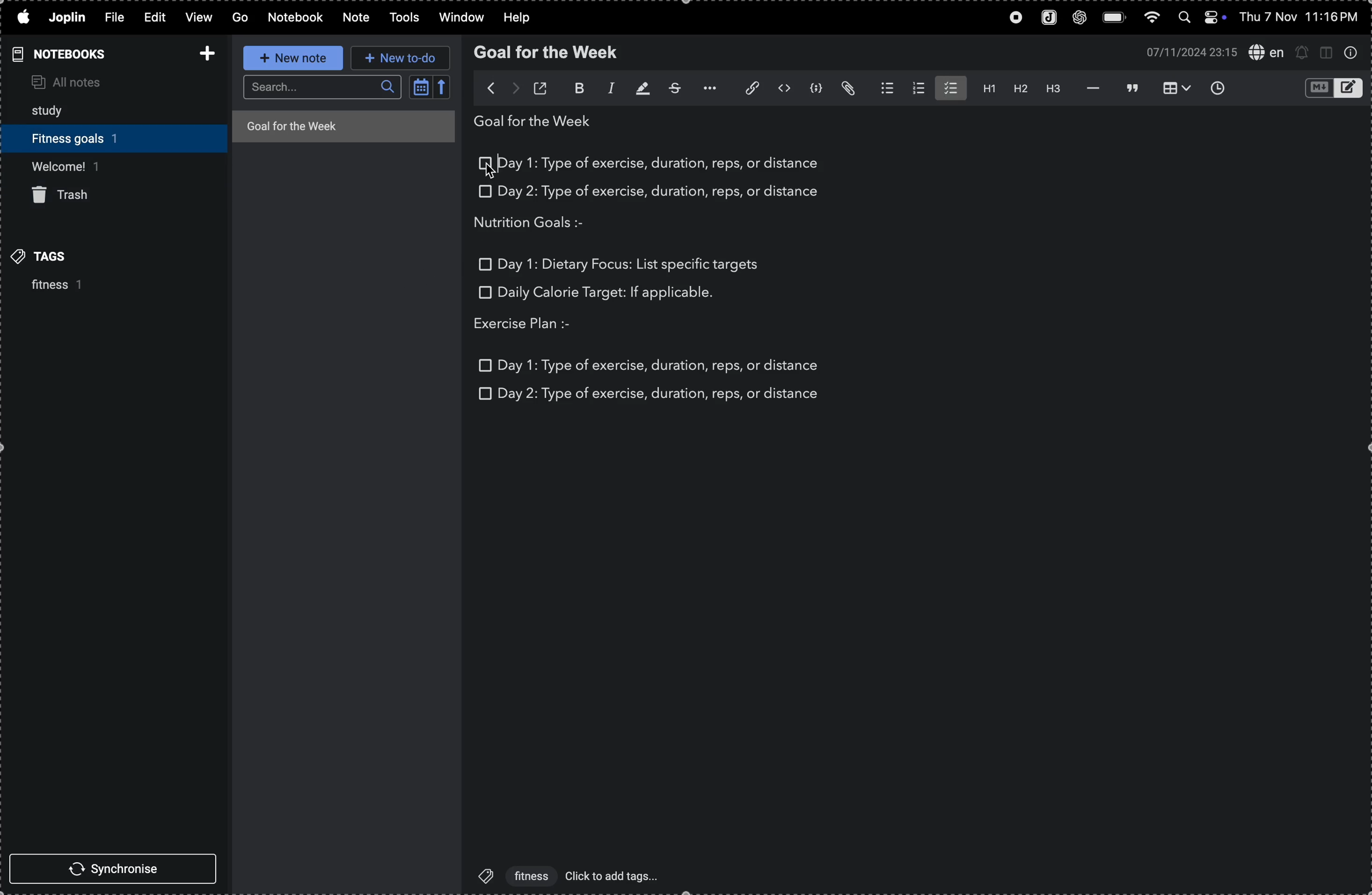  Describe the element at coordinates (199, 17) in the screenshot. I see `view` at that location.